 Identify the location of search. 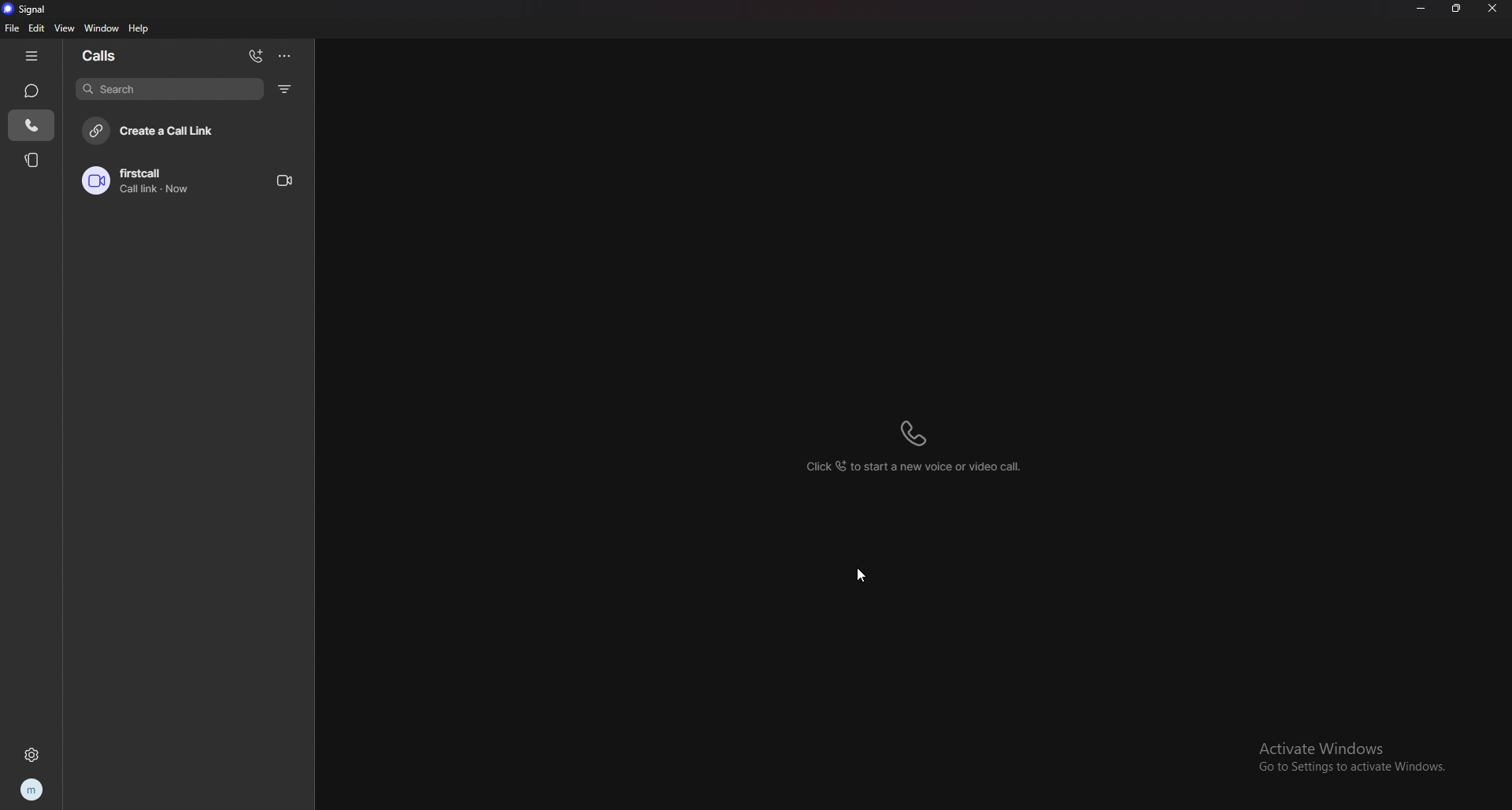
(169, 88).